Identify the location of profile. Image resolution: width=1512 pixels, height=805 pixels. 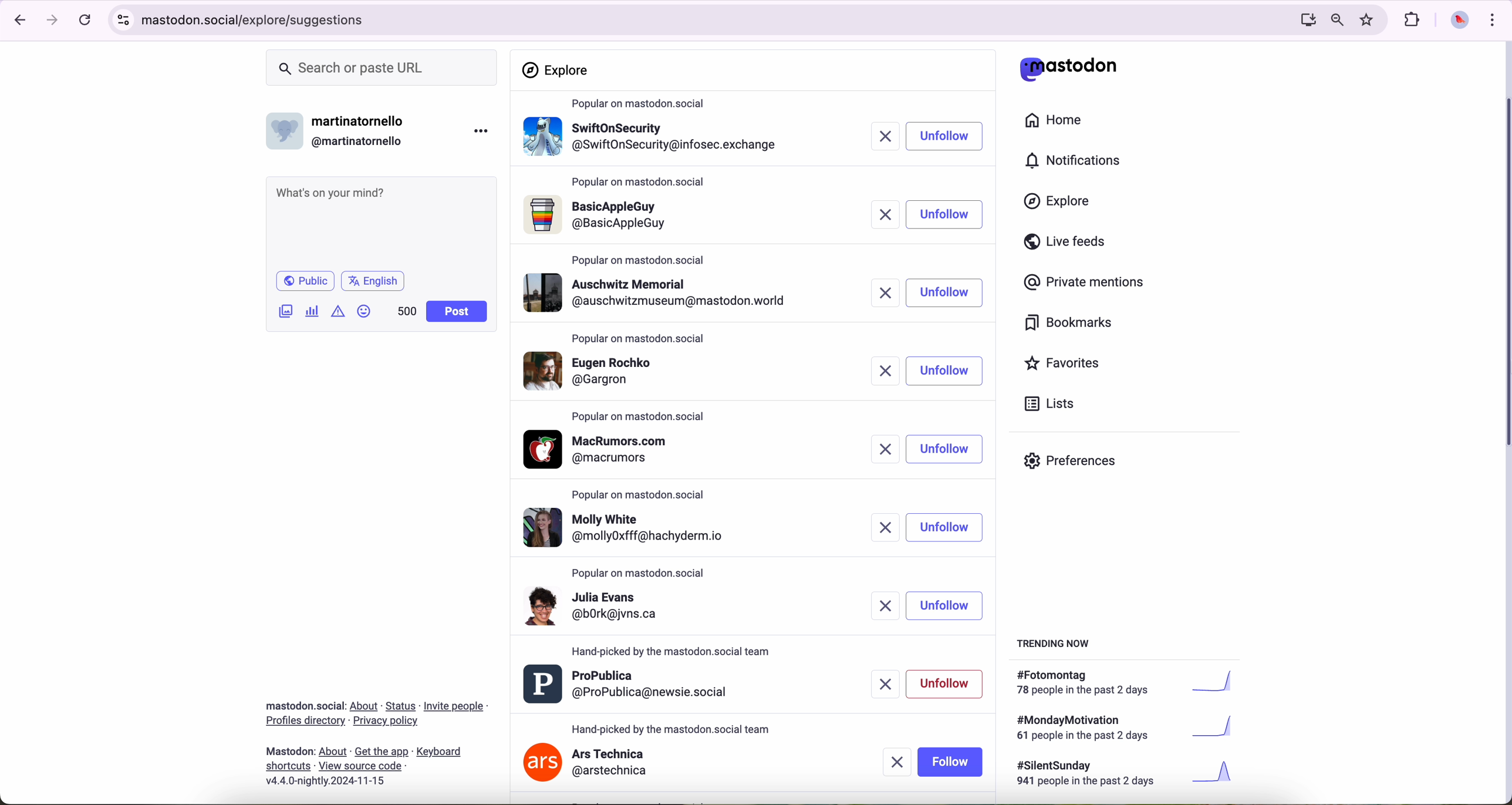
(653, 373).